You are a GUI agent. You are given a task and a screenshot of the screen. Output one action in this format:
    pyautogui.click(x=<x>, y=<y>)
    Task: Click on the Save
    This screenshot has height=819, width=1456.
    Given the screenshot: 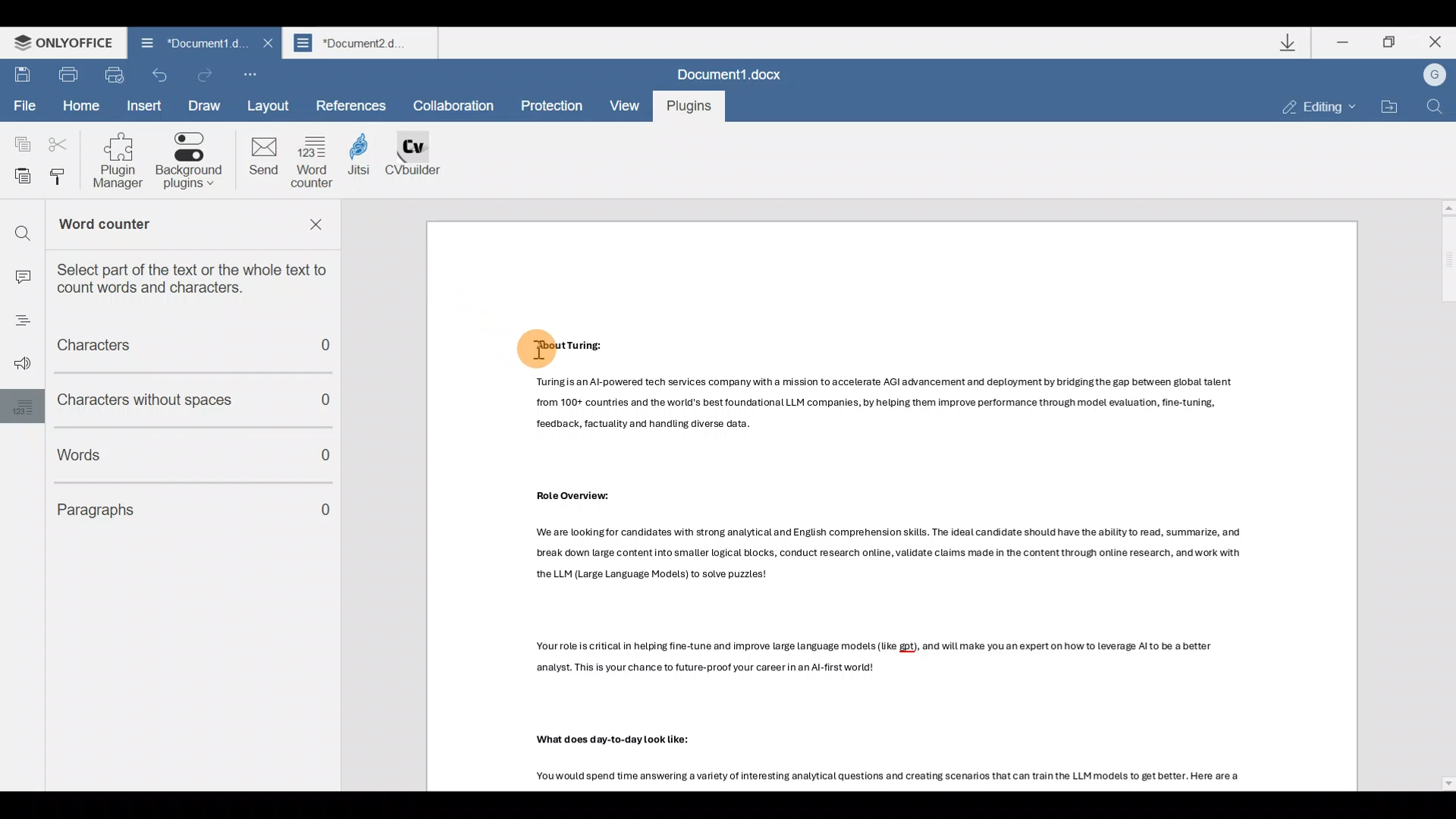 What is the action you would take?
    pyautogui.click(x=22, y=76)
    